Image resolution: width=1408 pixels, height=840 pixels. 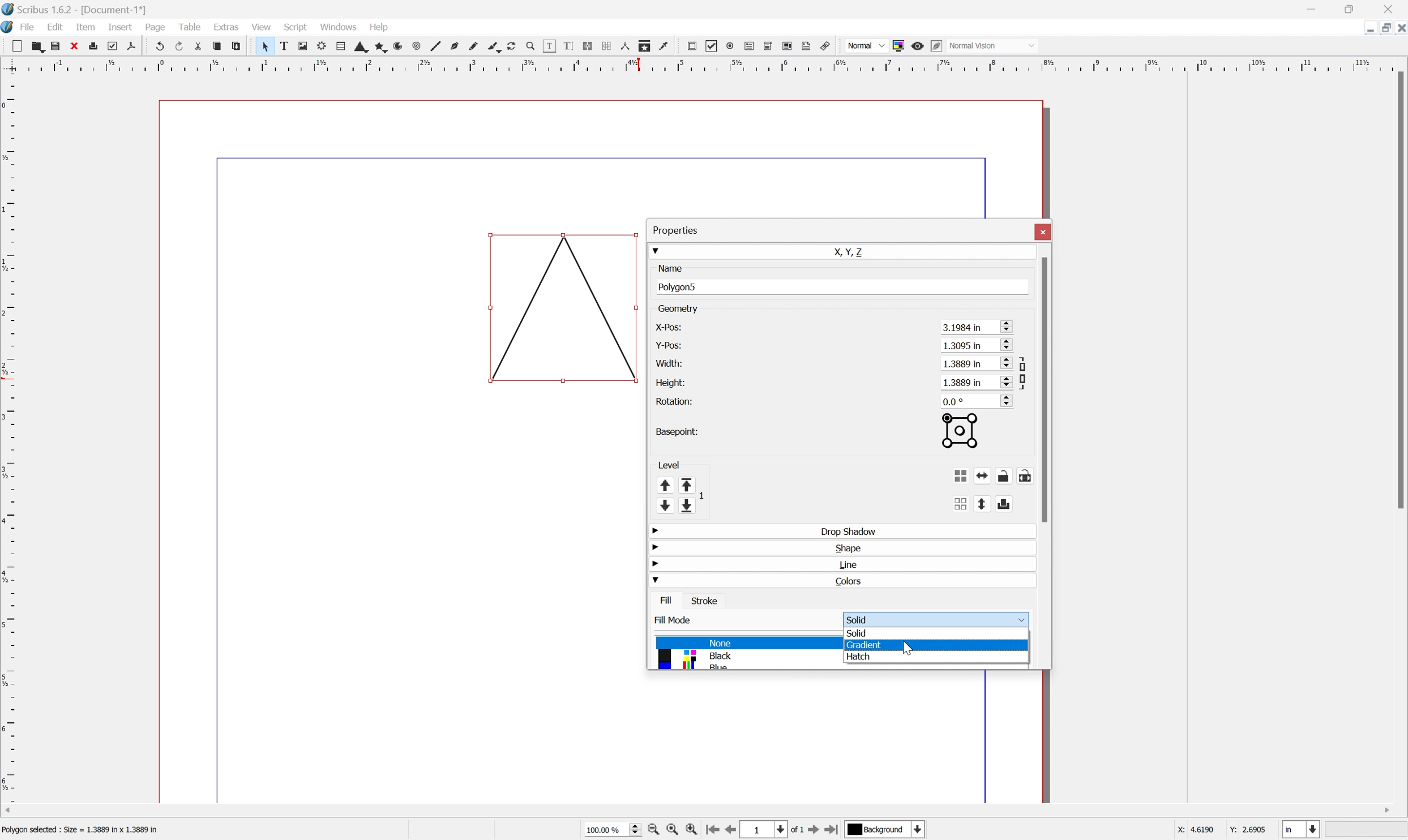 I want to click on Save, so click(x=55, y=44).